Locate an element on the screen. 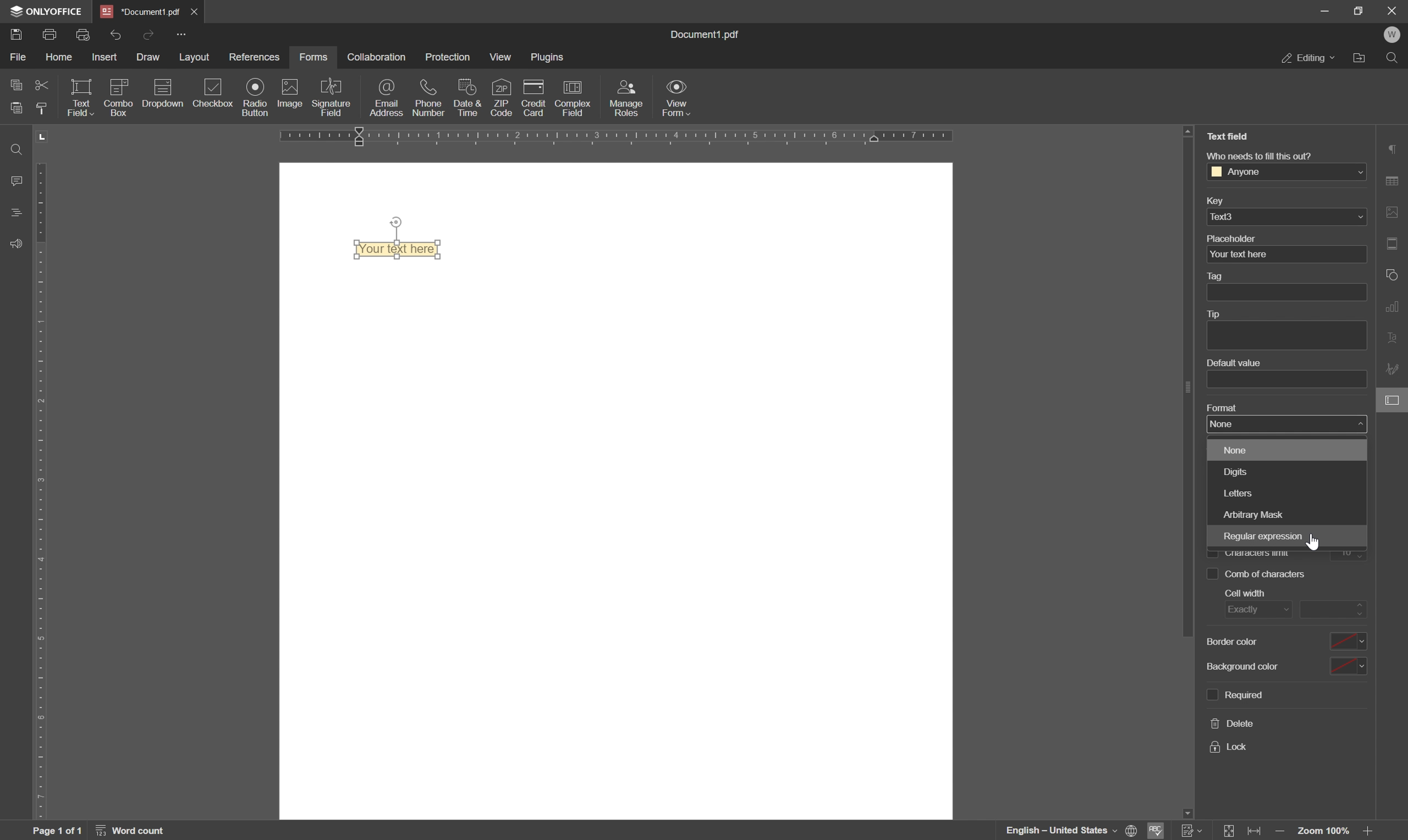  cursor is located at coordinates (1316, 542).